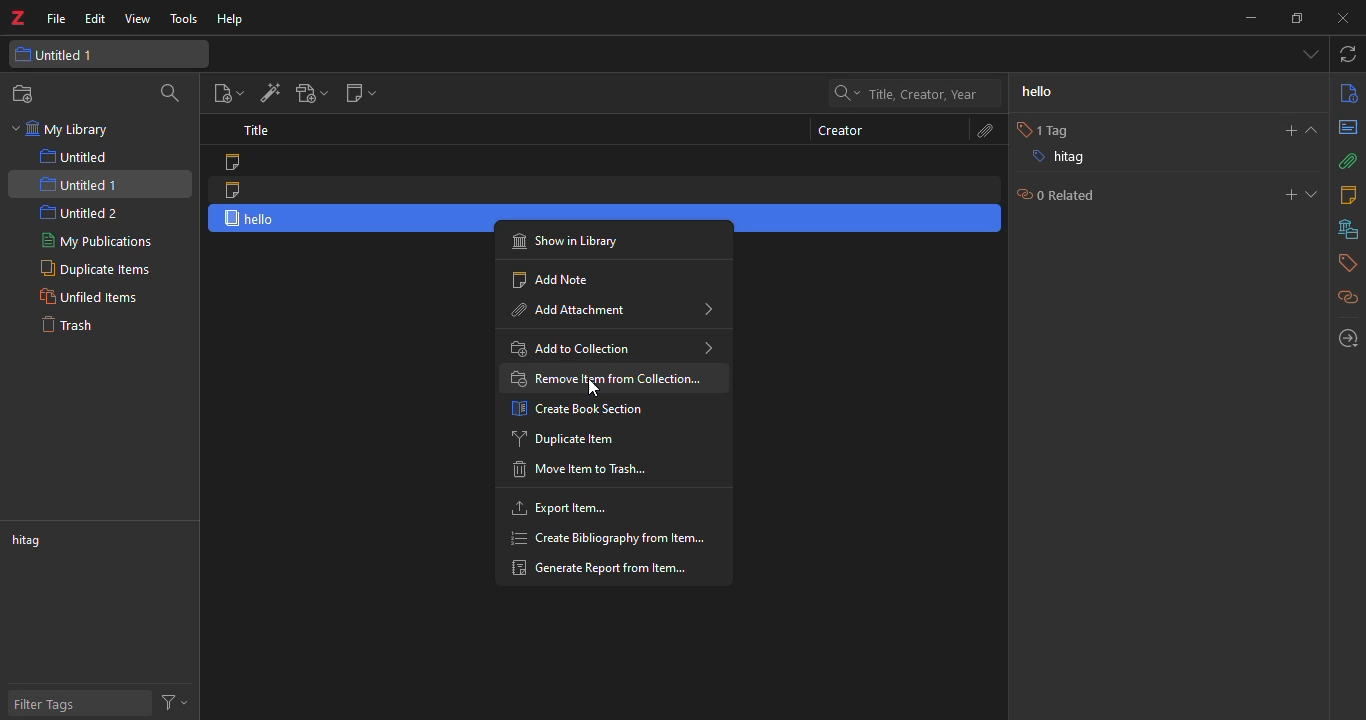  Describe the element at coordinates (1294, 18) in the screenshot. I see `maximize` at that location.